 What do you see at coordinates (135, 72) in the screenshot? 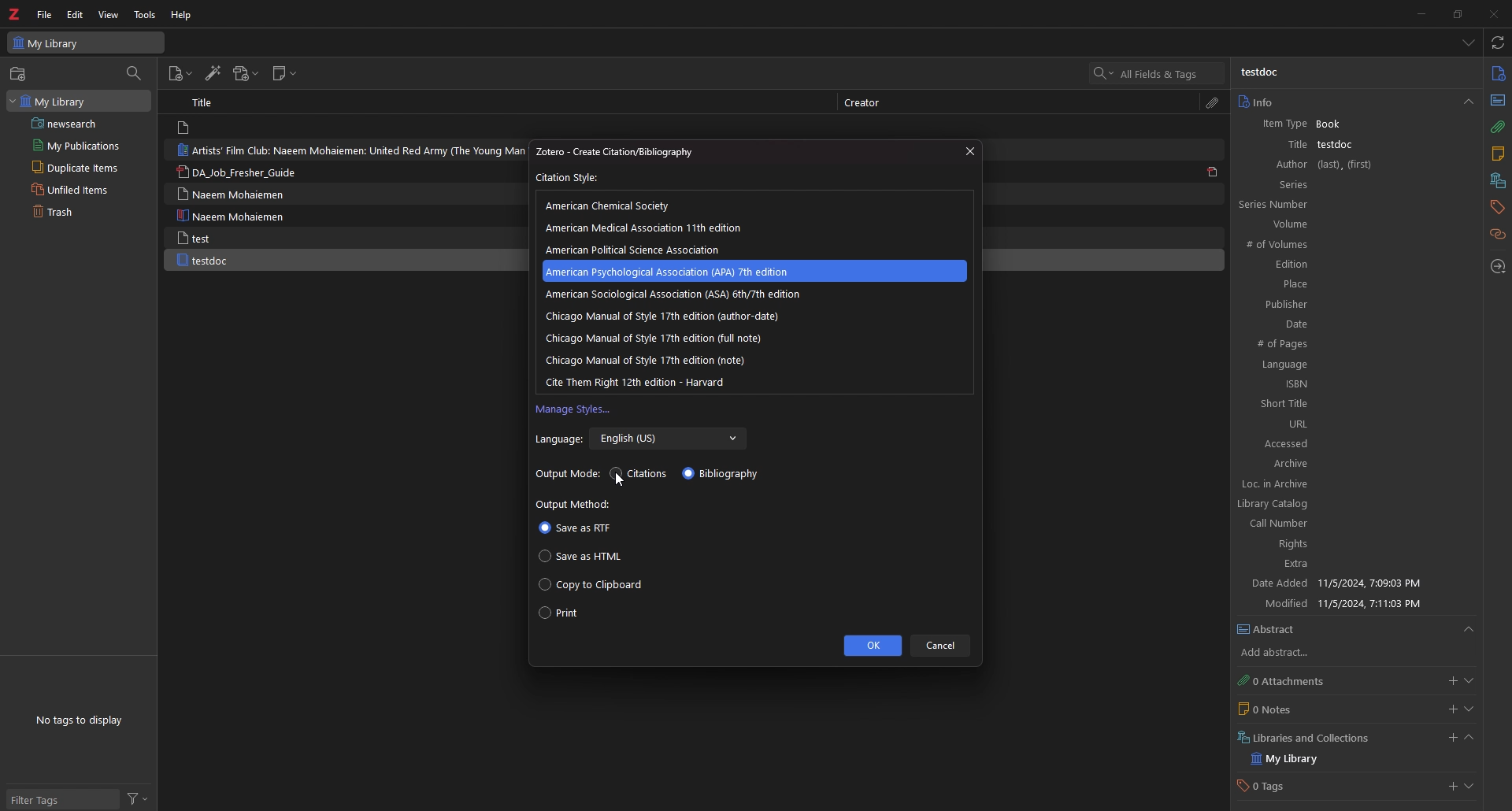
I see `filter items` at bounding box center [135, 72].